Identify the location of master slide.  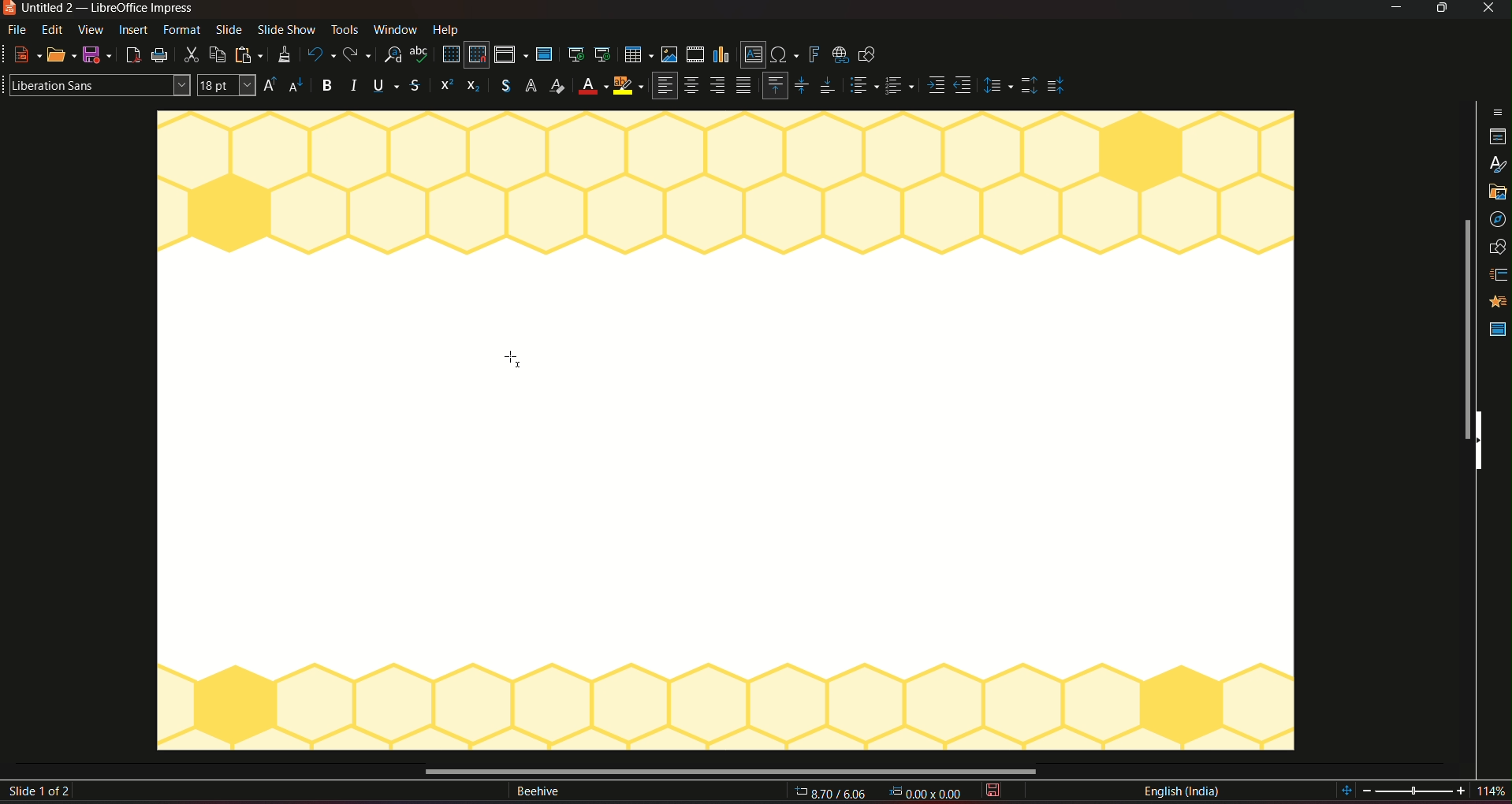
(547, 55).